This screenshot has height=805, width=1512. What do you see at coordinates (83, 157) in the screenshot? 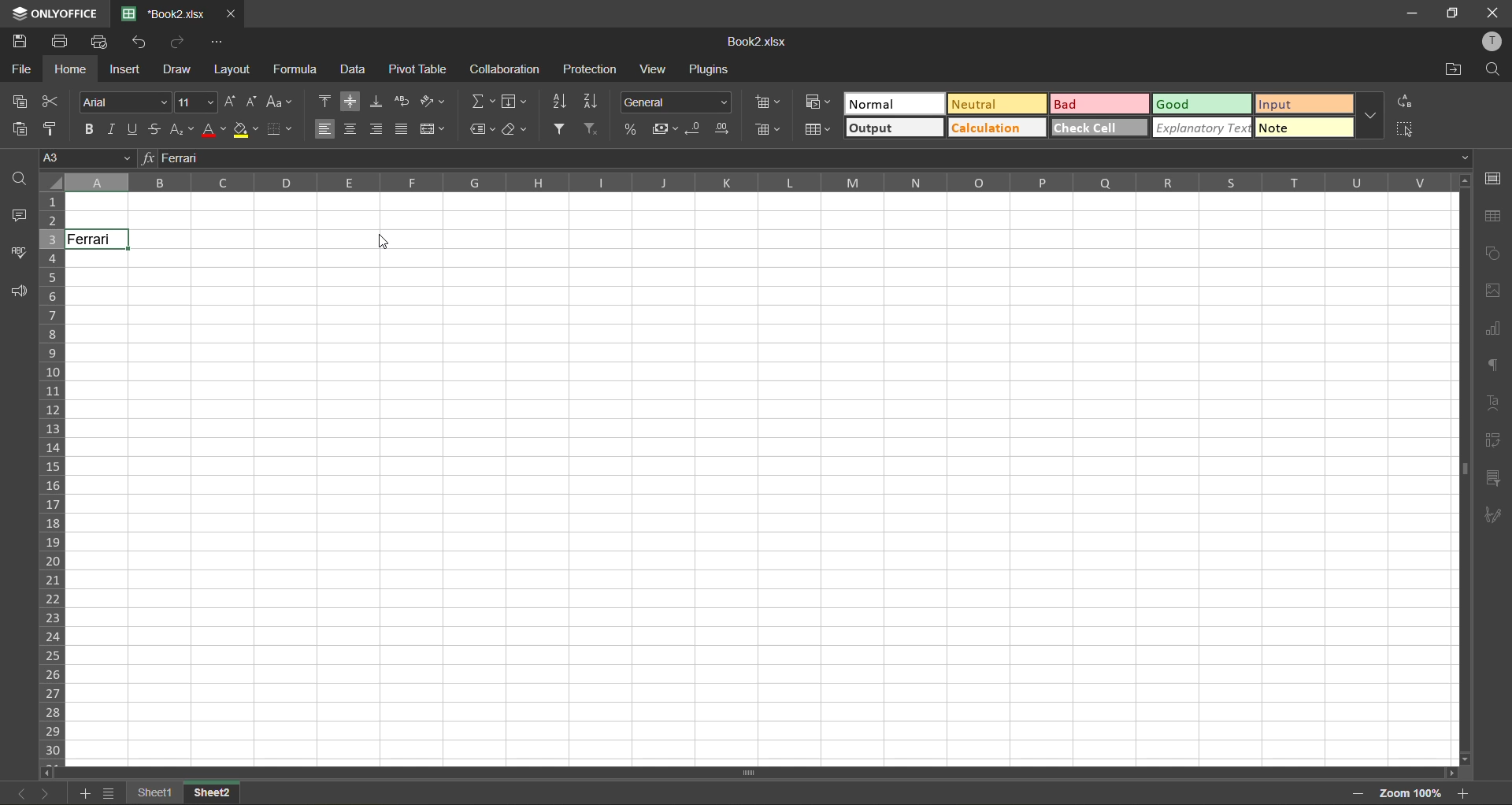
I see `cell address` at bounding box center [83, 157].